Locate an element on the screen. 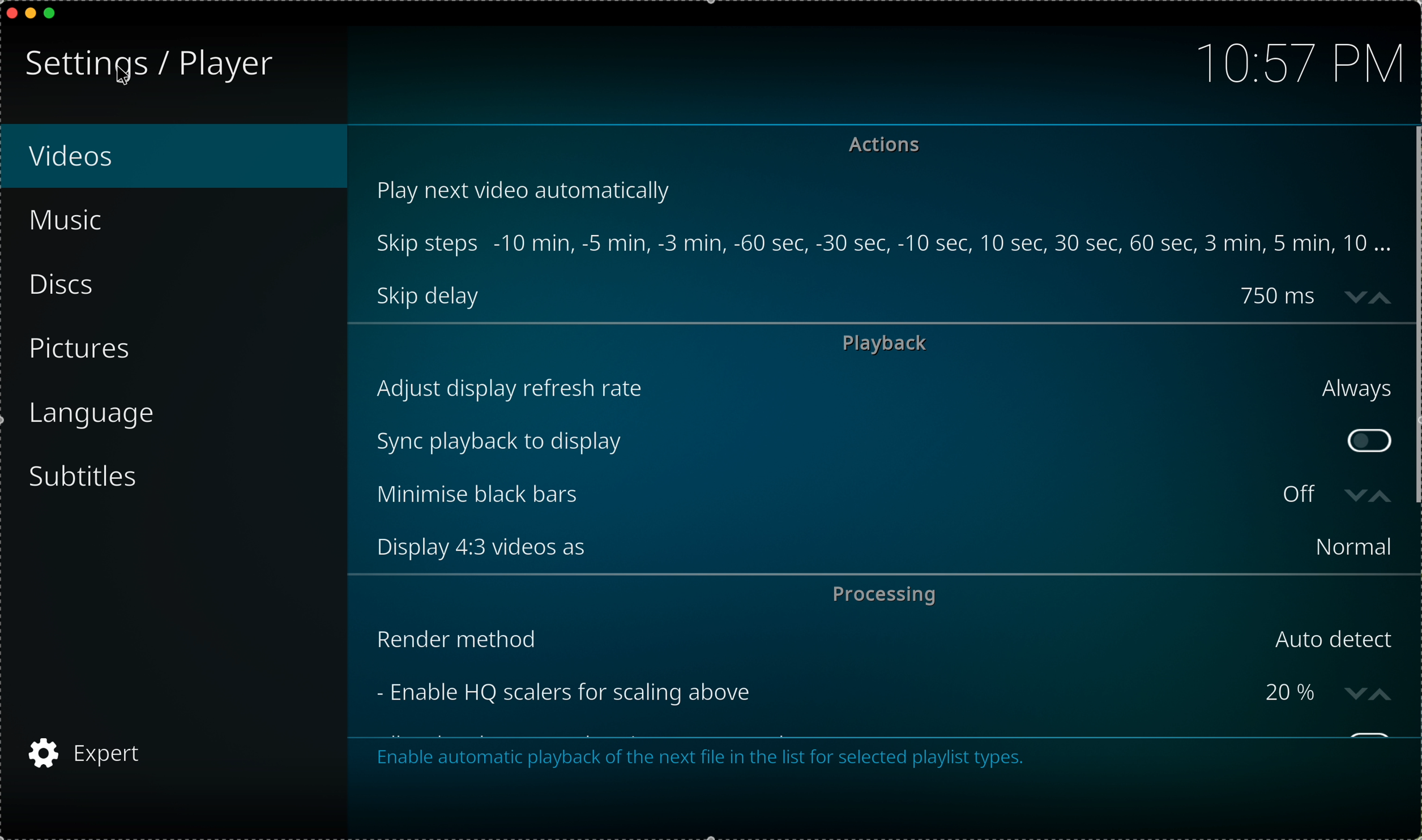 The height and width of the screenshot is (840, 1422). render method  Auto detect is located at coordinates (886, 639).